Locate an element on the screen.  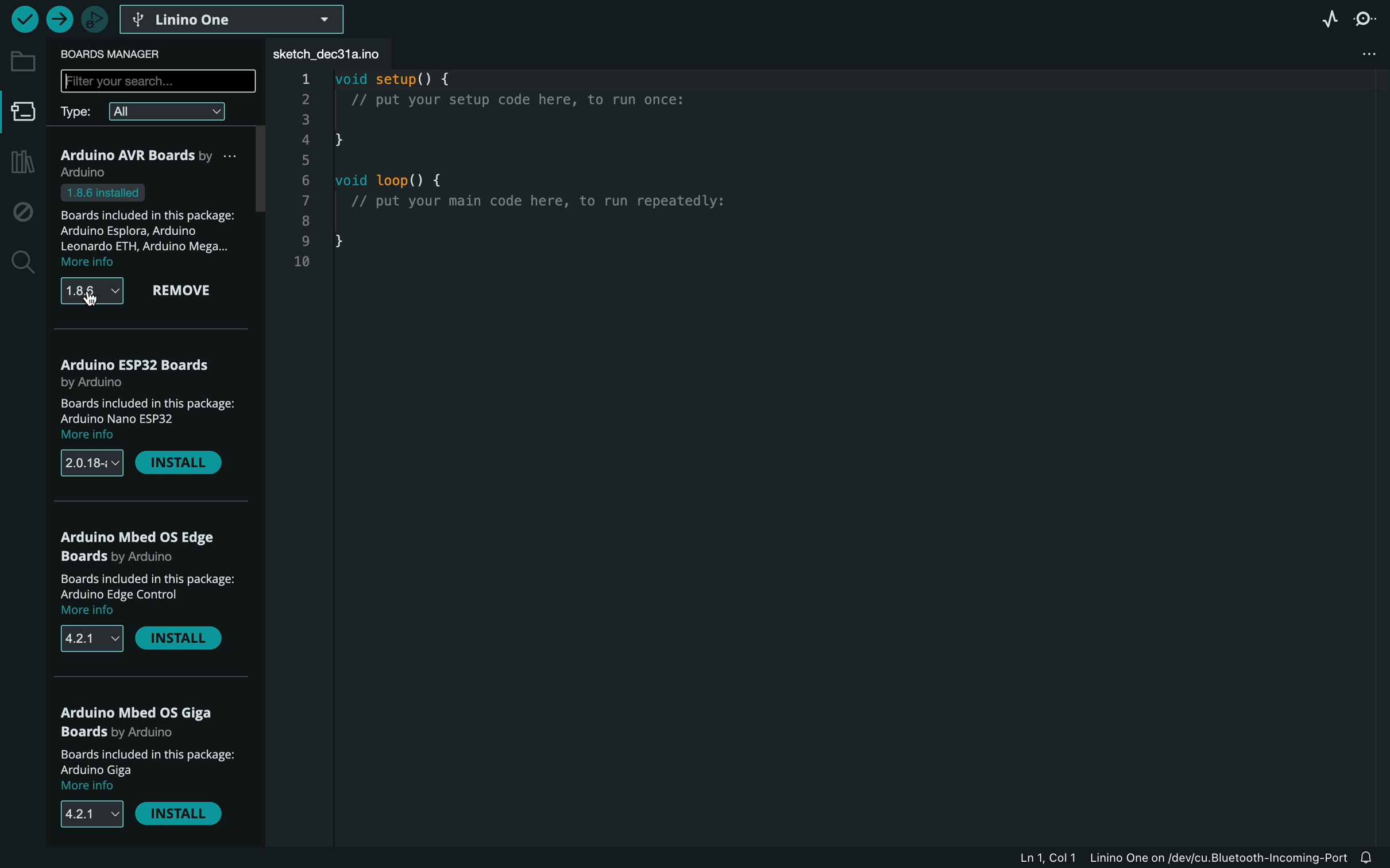
9 is located at coordinates (302, 242).